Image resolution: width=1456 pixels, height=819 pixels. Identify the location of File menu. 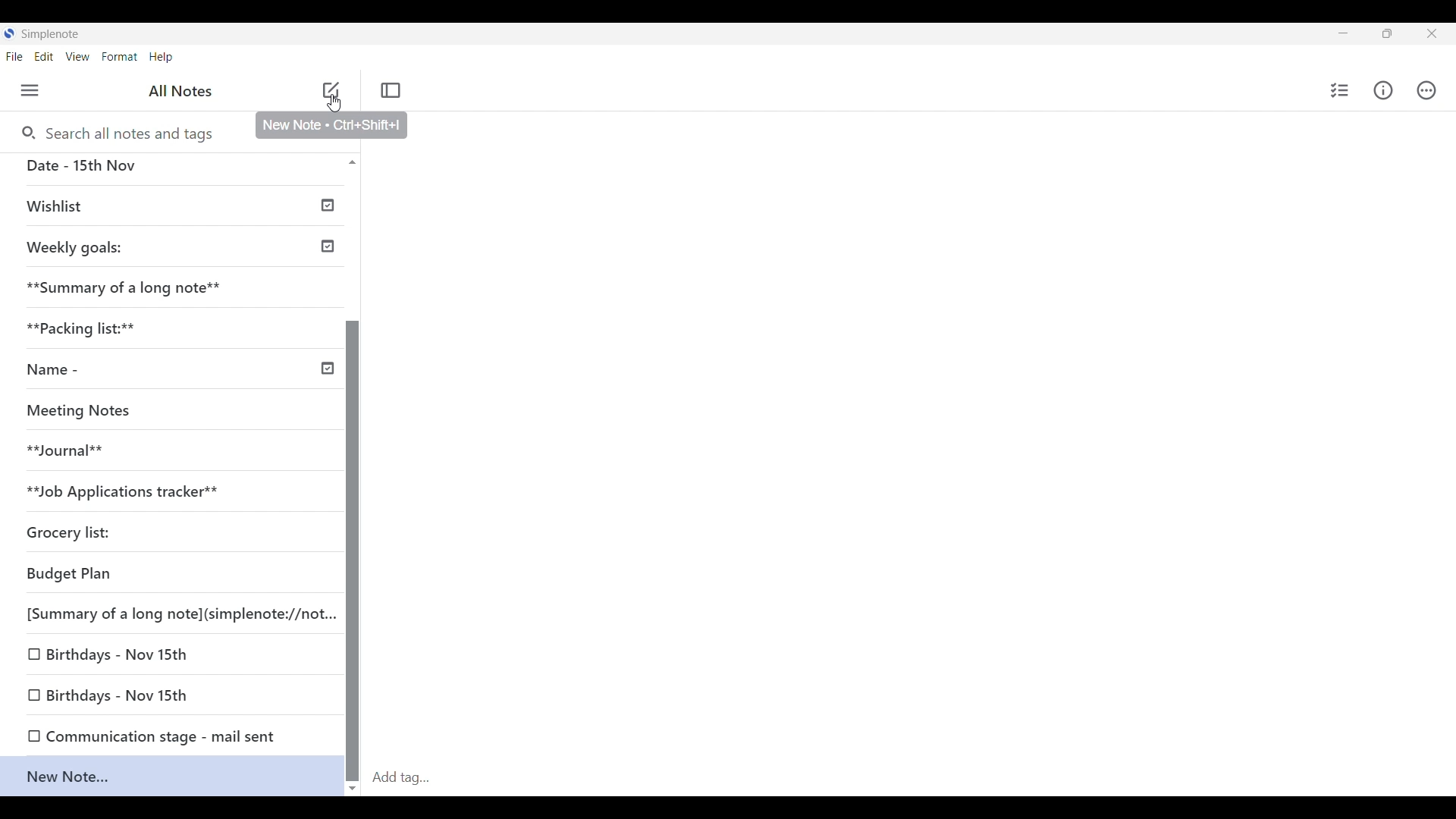
(14, 57).